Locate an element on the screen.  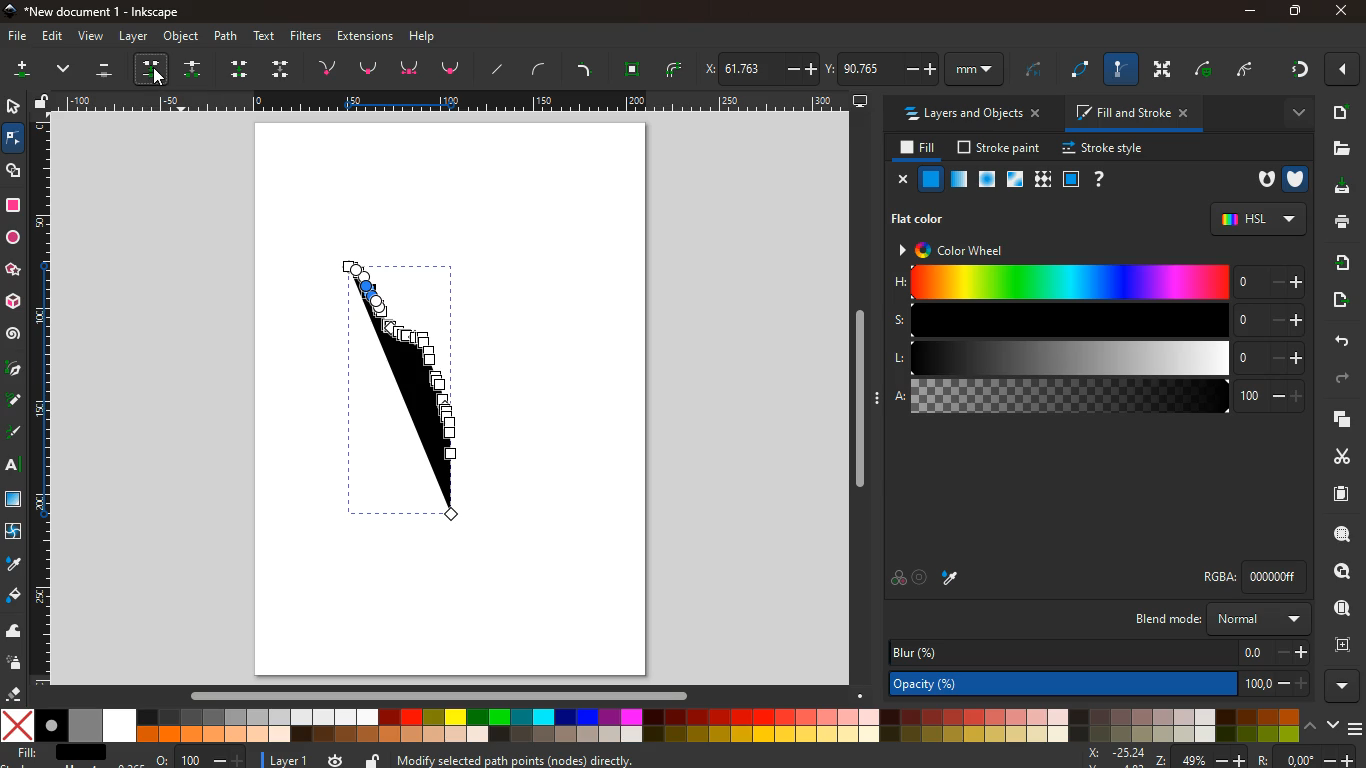
pole is located at coordinates (1123, 70).